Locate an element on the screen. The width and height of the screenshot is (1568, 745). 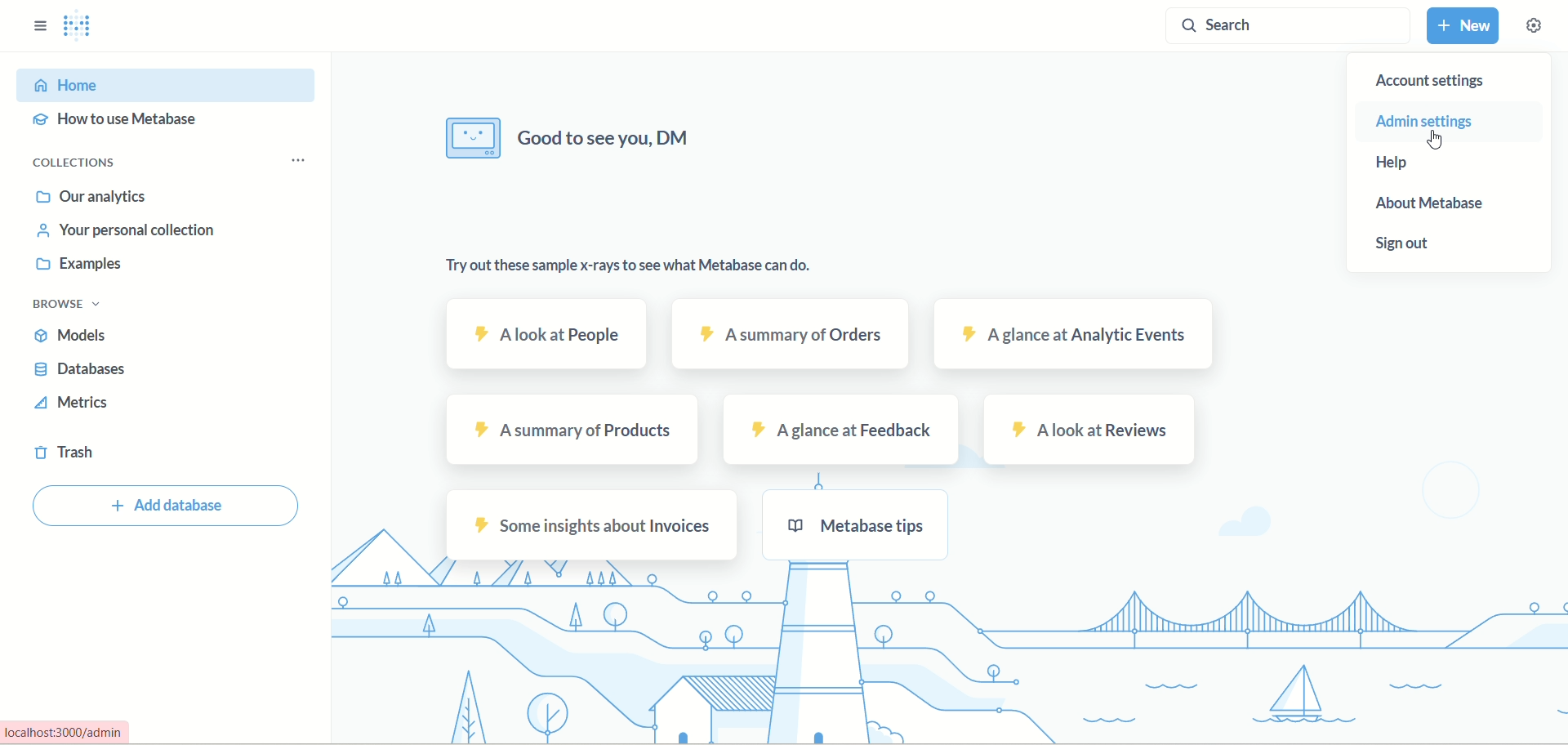
about metabase is located at coordinates (1432, 205).